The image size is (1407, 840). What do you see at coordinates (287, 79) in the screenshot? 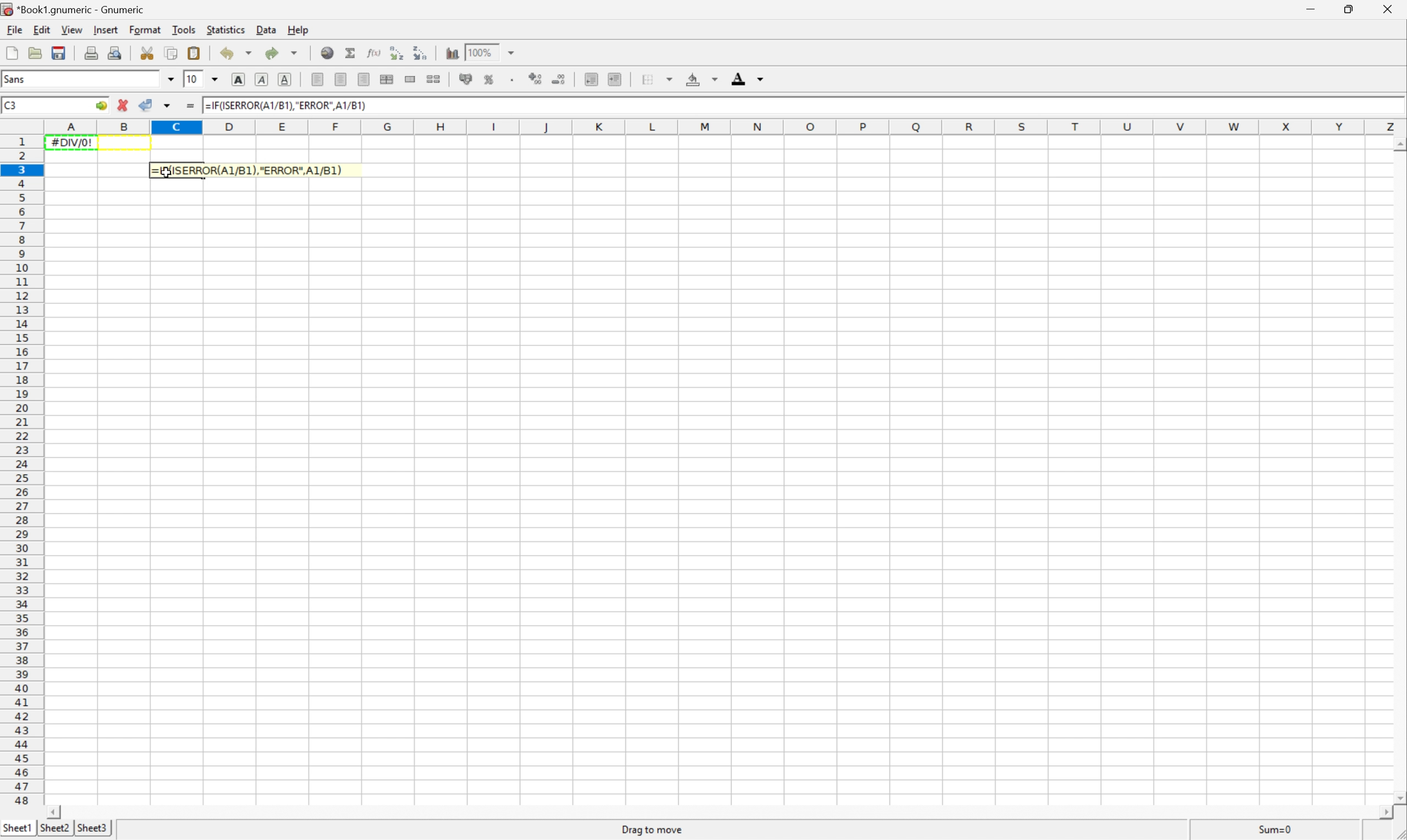
I see `Underline` at bounding box center [287, 79].